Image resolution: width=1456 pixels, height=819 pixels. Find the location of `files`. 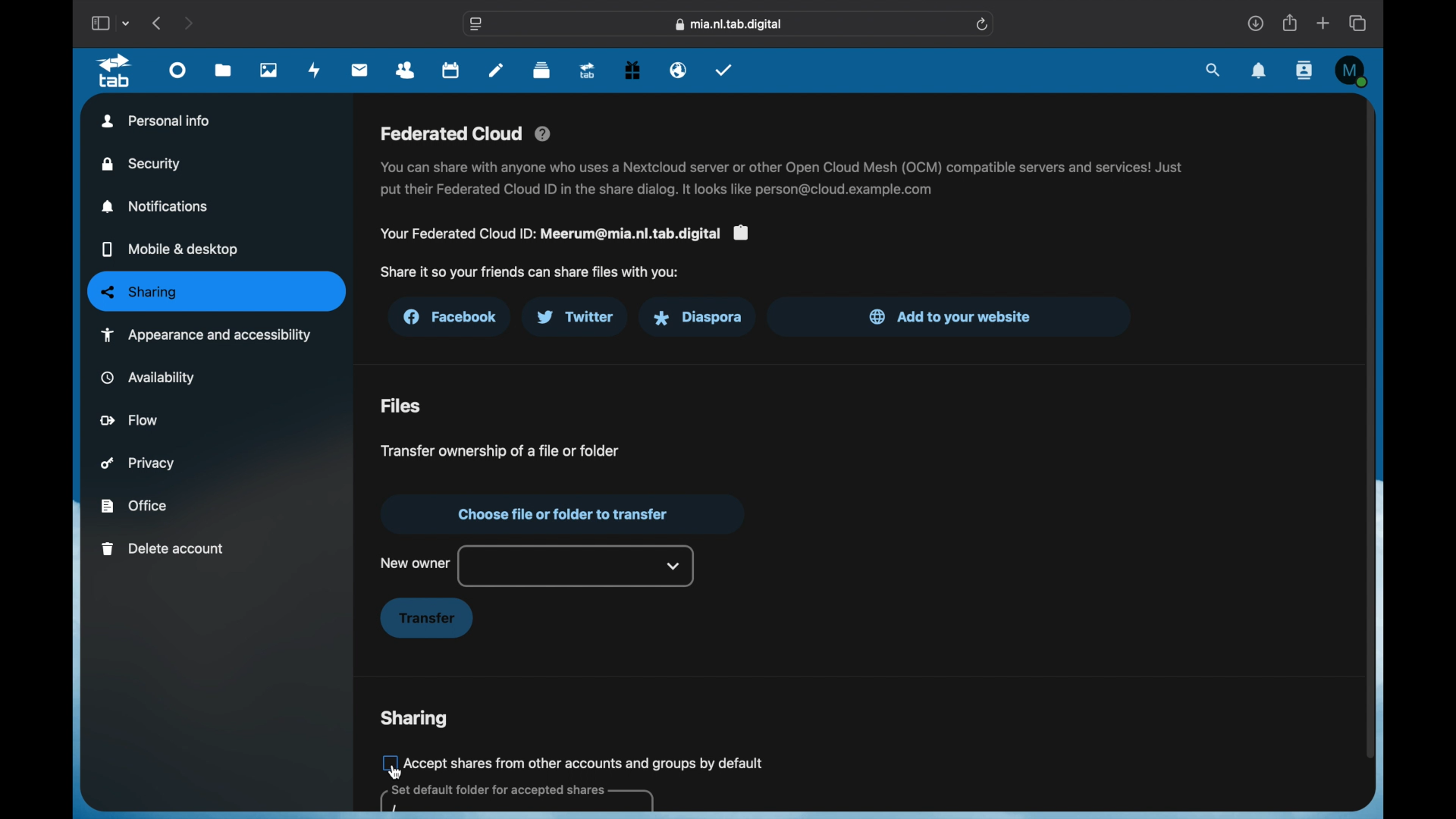

files is located at coordinates (401, 406).